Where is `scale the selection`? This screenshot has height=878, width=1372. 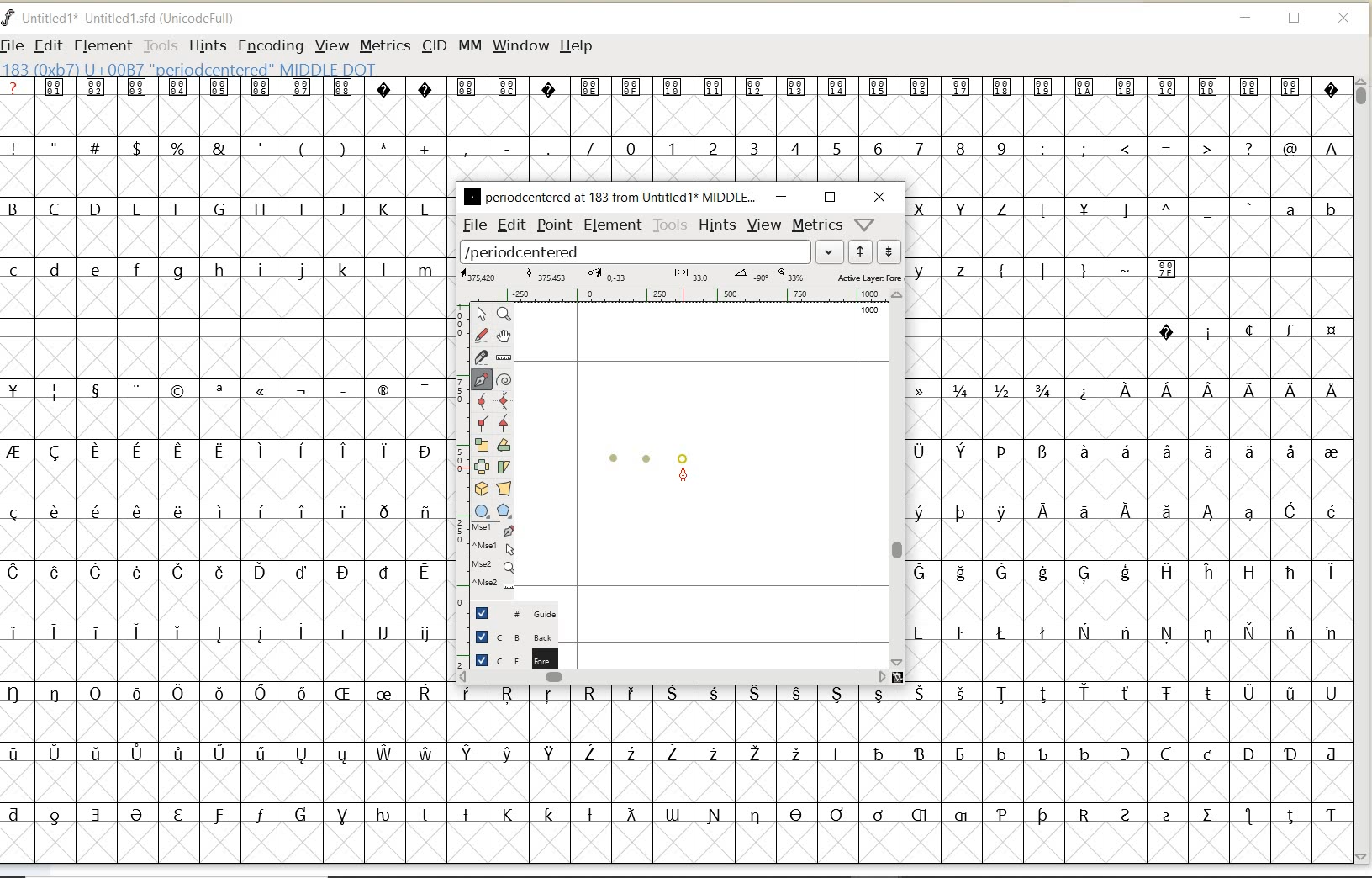 scale the selection is located at coordinates (480, 446).